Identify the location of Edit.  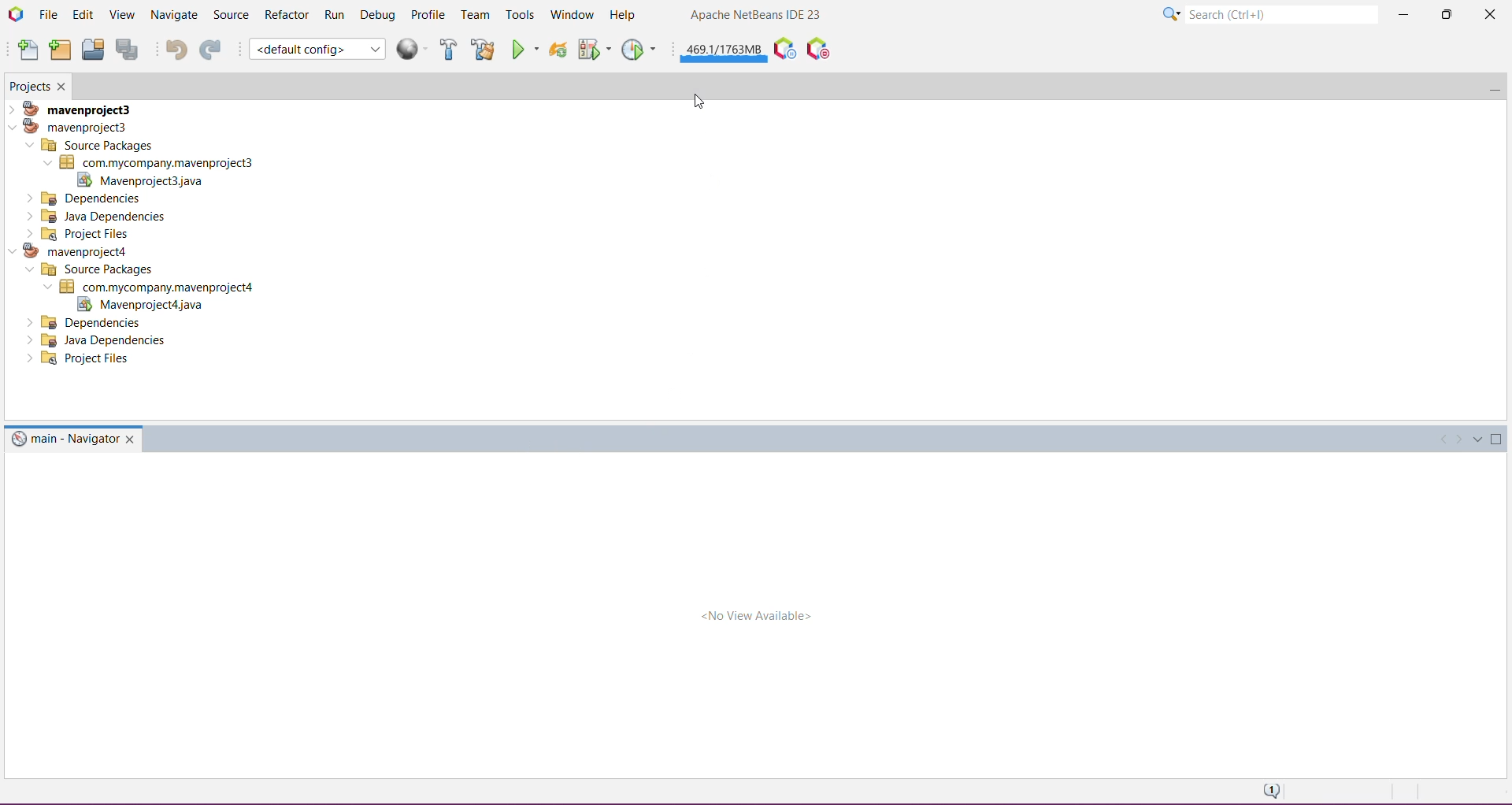
(82, 16).